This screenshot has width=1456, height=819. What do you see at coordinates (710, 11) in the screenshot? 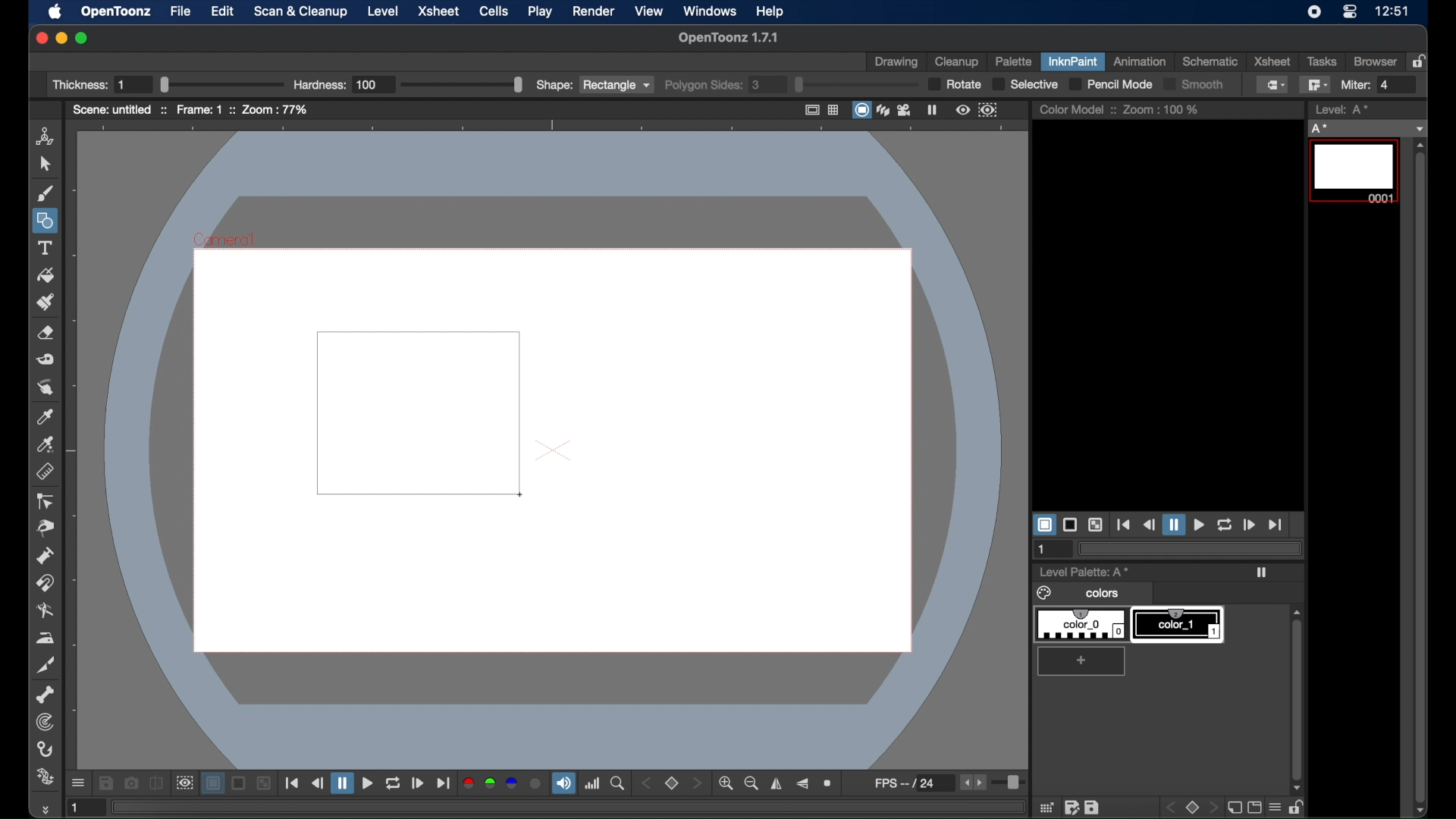
I see `windows` at bounding box center [710, 11].